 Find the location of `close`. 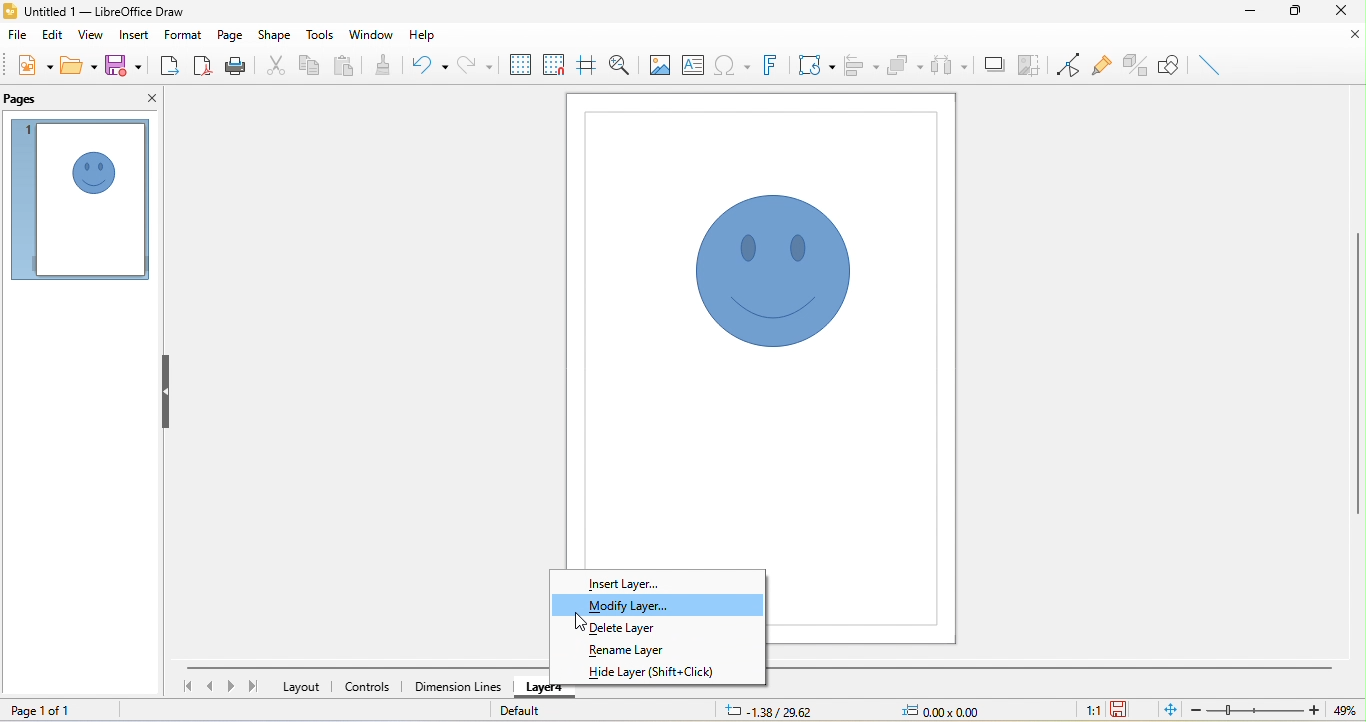

close is located at coordinates (149, 101).